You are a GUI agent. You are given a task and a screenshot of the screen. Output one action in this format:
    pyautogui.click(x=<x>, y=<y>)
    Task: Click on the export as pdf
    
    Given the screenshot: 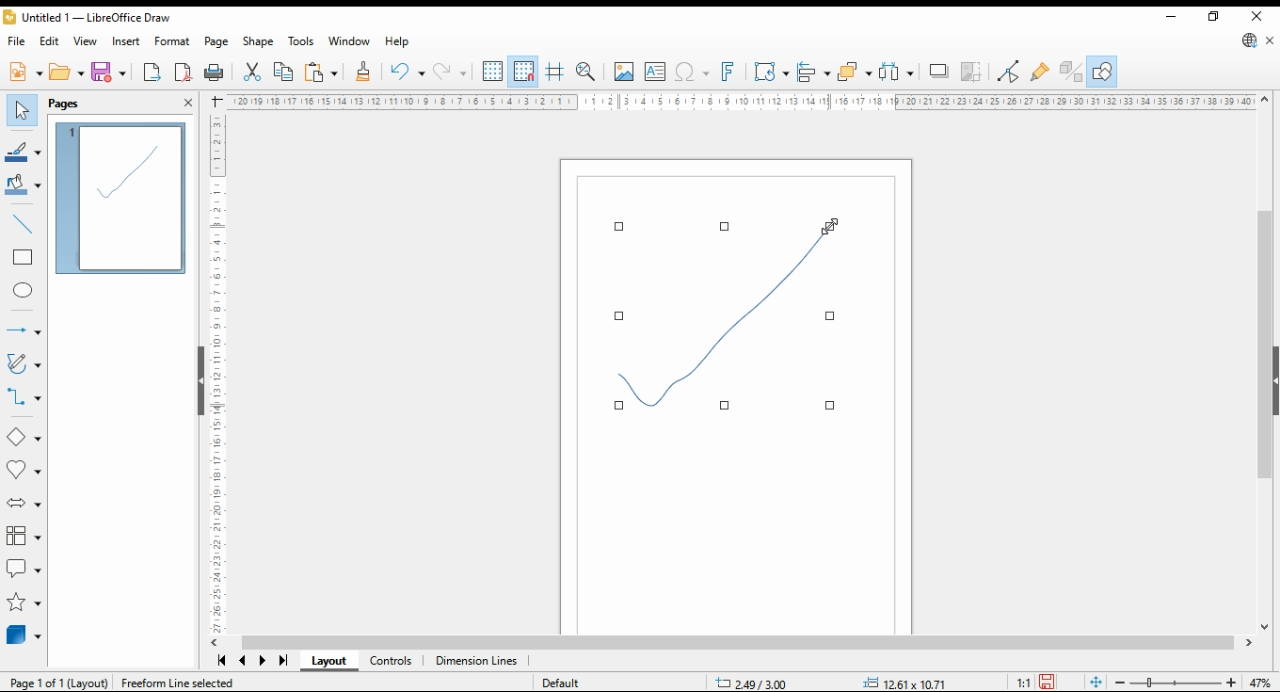 What is the action you would take?
    pyautogui.click(x=183, y=73)
    